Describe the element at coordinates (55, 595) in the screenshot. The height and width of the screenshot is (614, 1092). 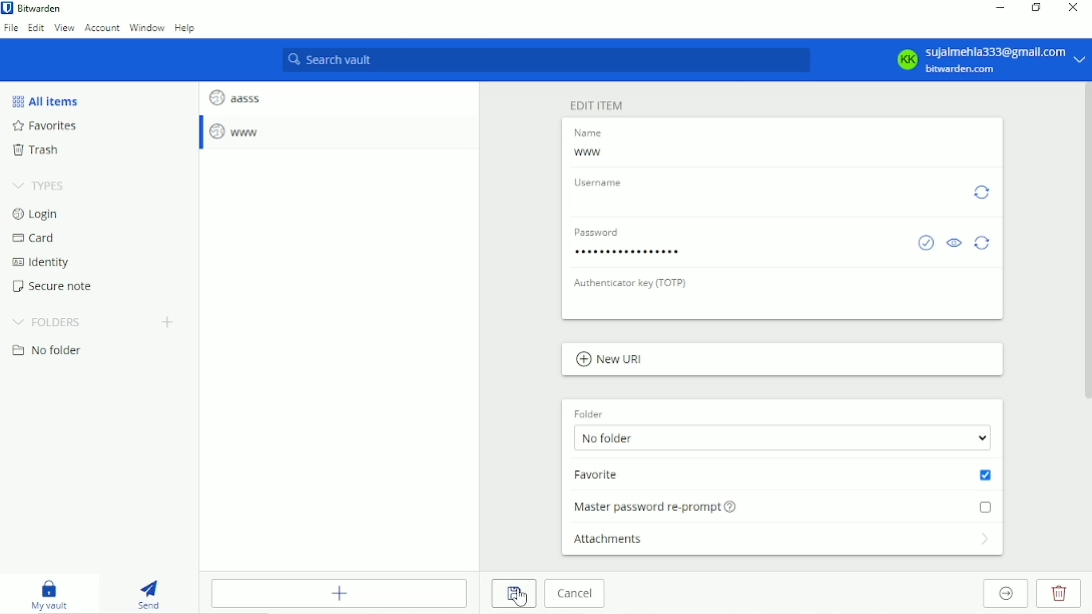
I see `My vault` at that location.